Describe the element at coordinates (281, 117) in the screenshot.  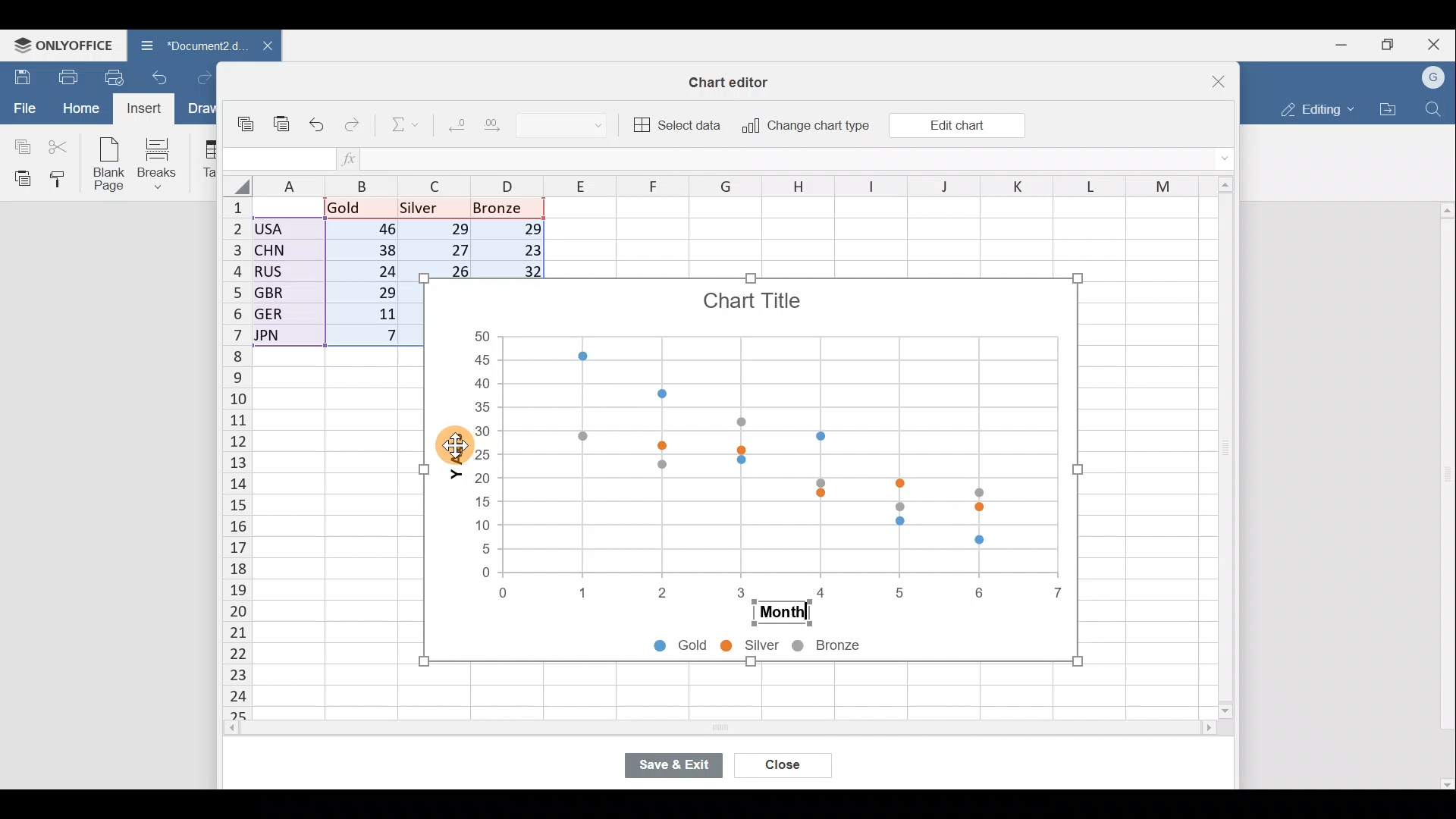
I see `Paste` at that location.